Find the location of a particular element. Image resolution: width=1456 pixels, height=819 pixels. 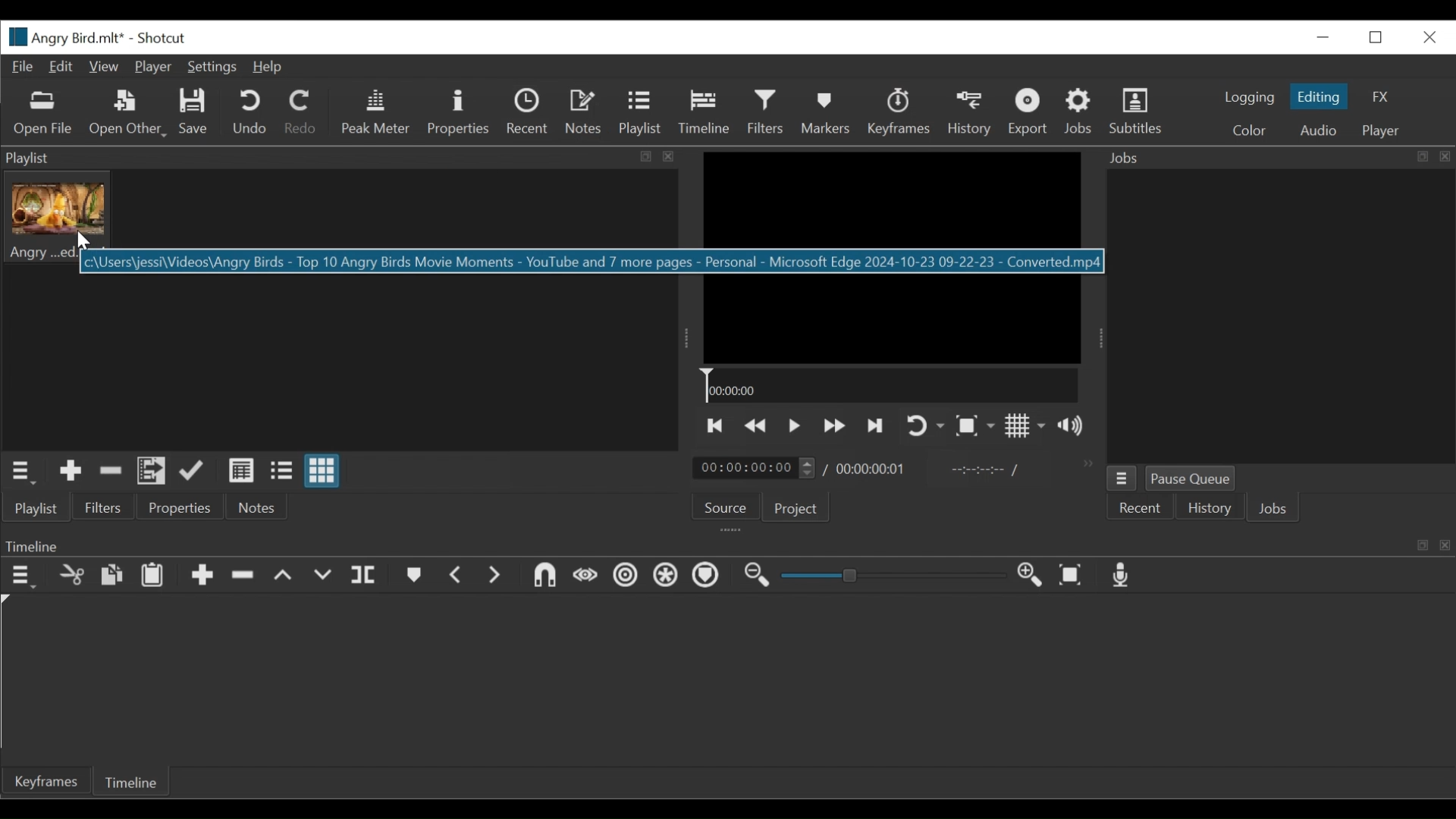

Editing is located at coordinates (1321, 96).